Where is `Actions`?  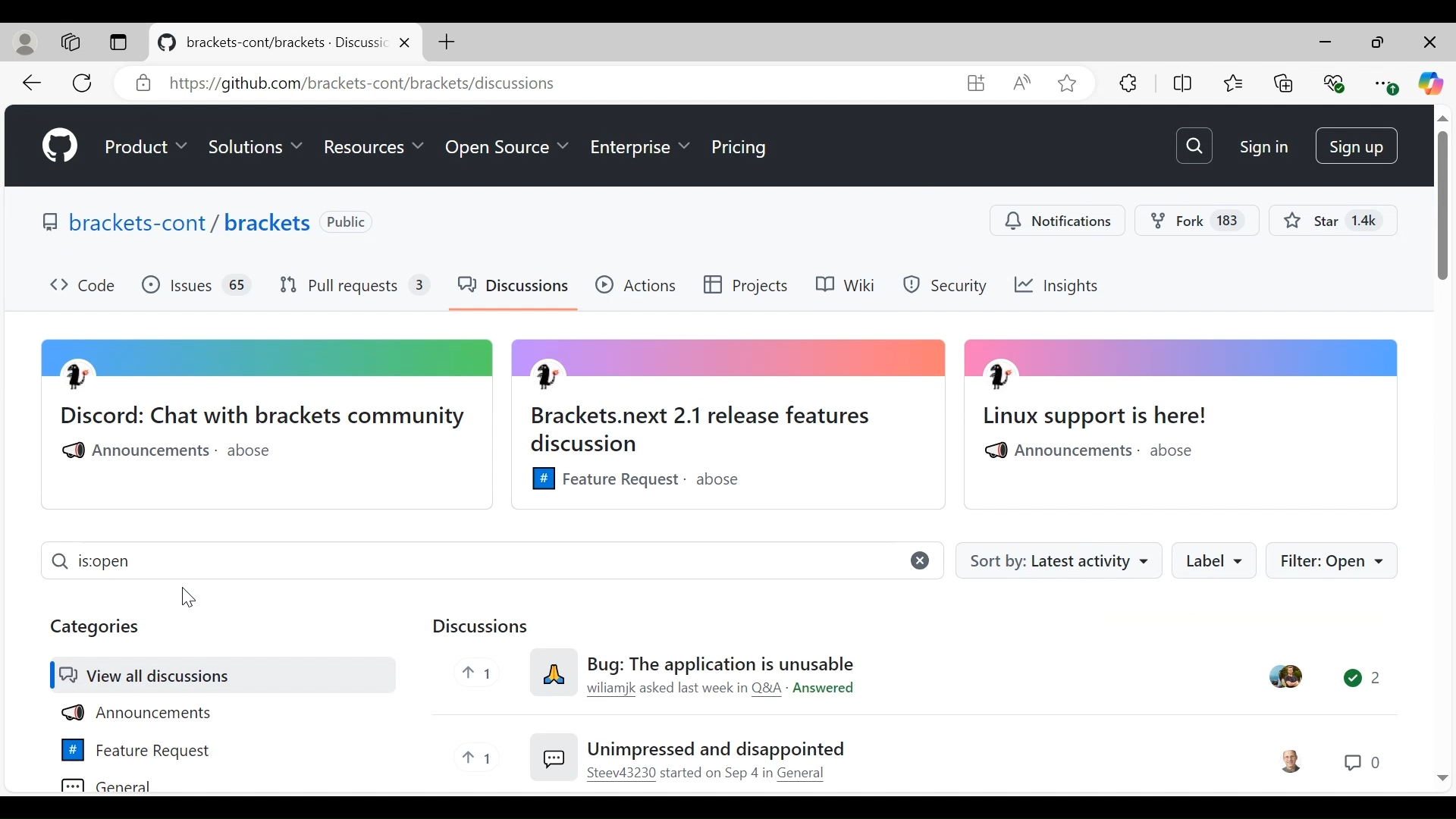 Actions is located at coordinates (636, 285).